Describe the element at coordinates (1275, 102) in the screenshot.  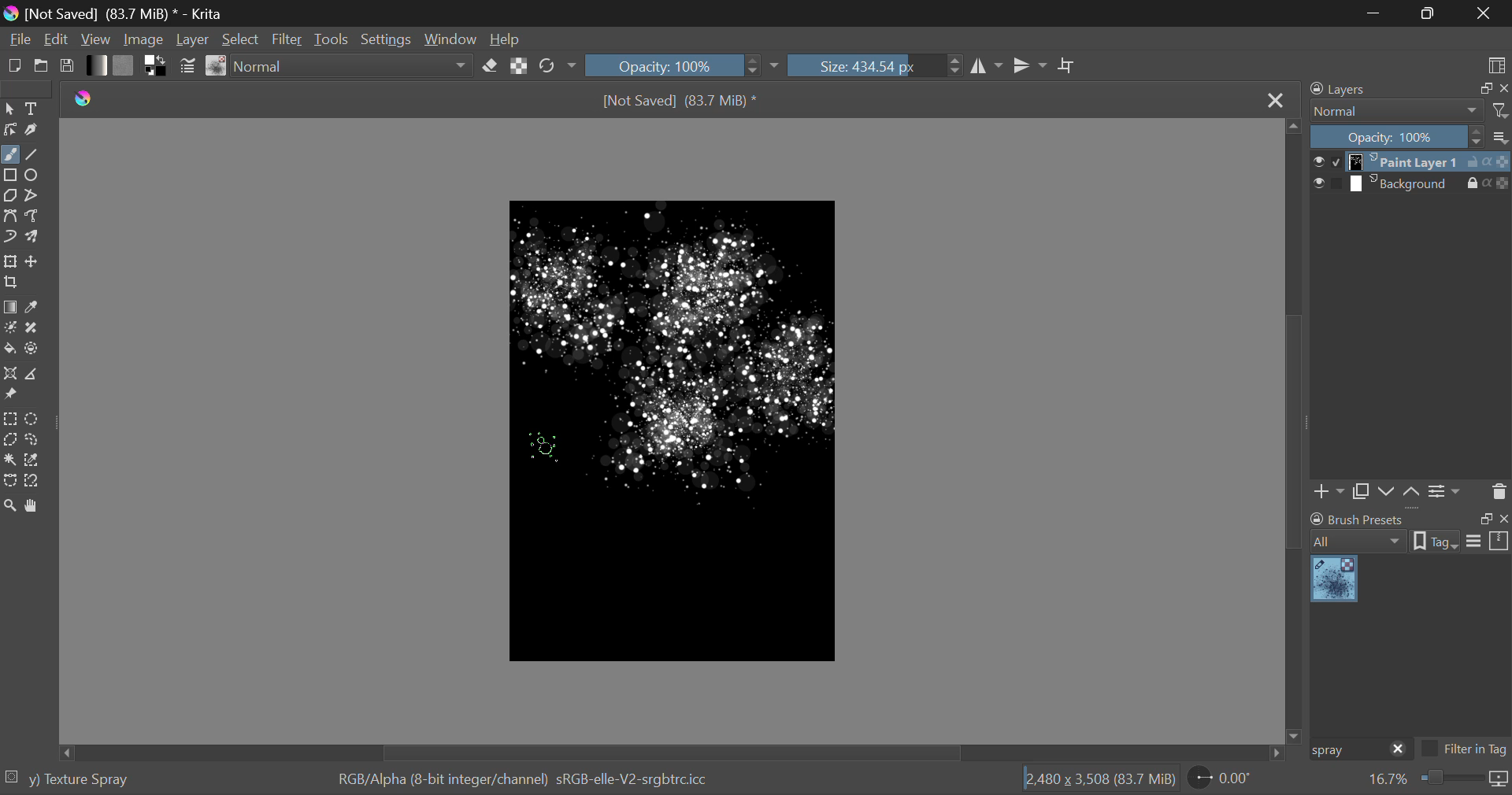
I see `Close` at that location.